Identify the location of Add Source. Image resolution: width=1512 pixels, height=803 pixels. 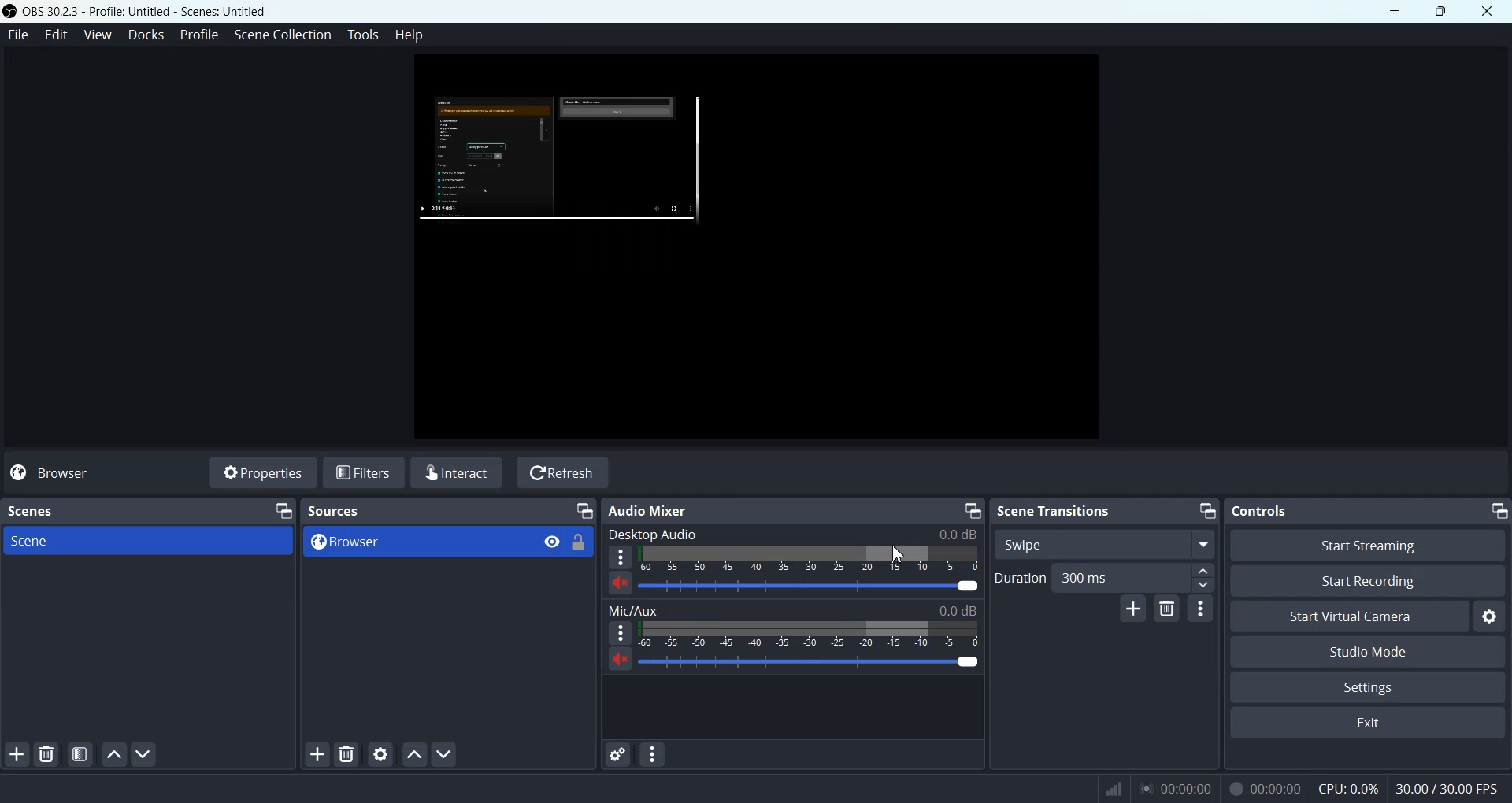
(317, 754).